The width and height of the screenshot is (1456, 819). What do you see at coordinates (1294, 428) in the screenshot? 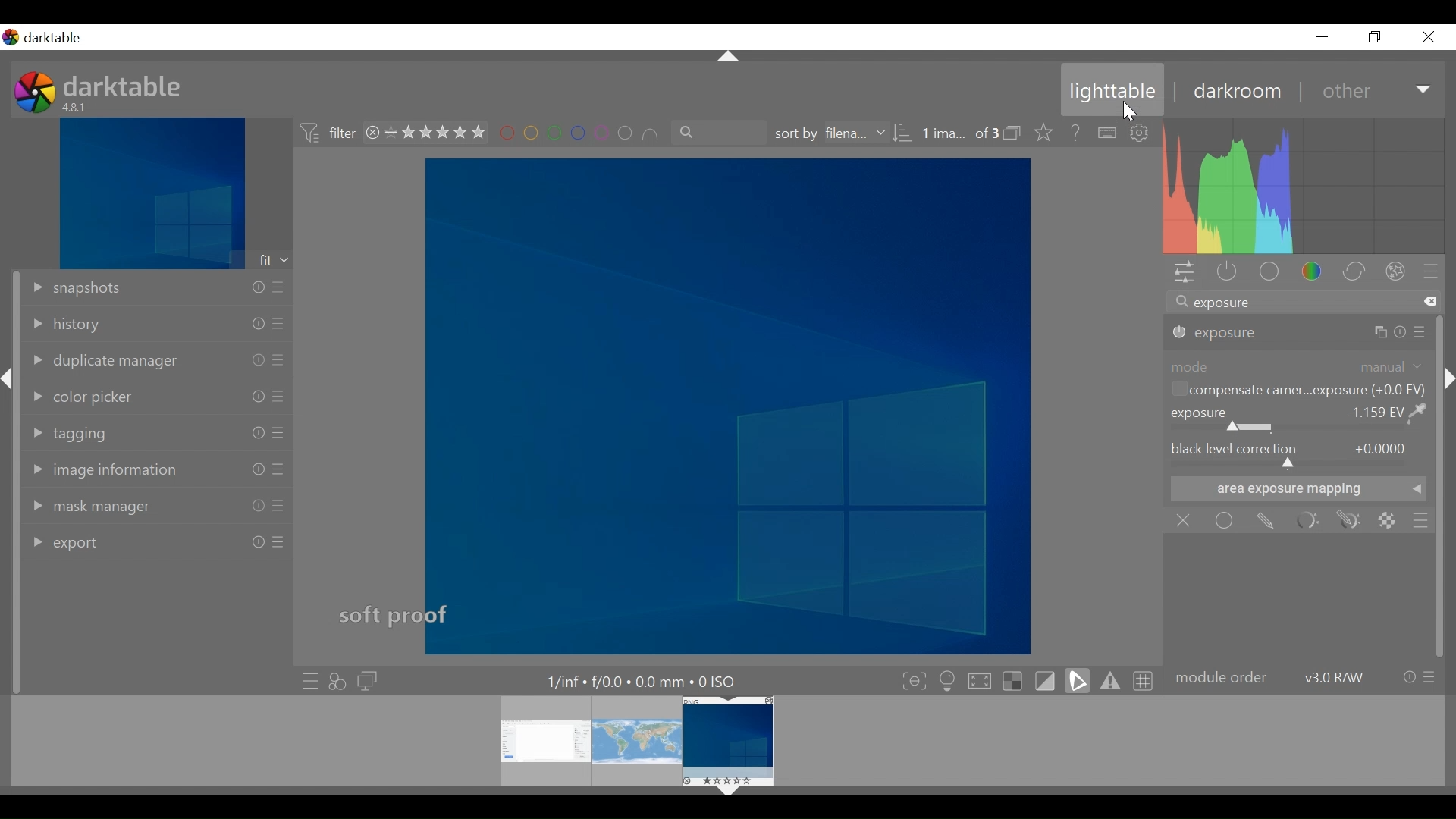
I see `Exposure ` at bounding box center [1294, 428].